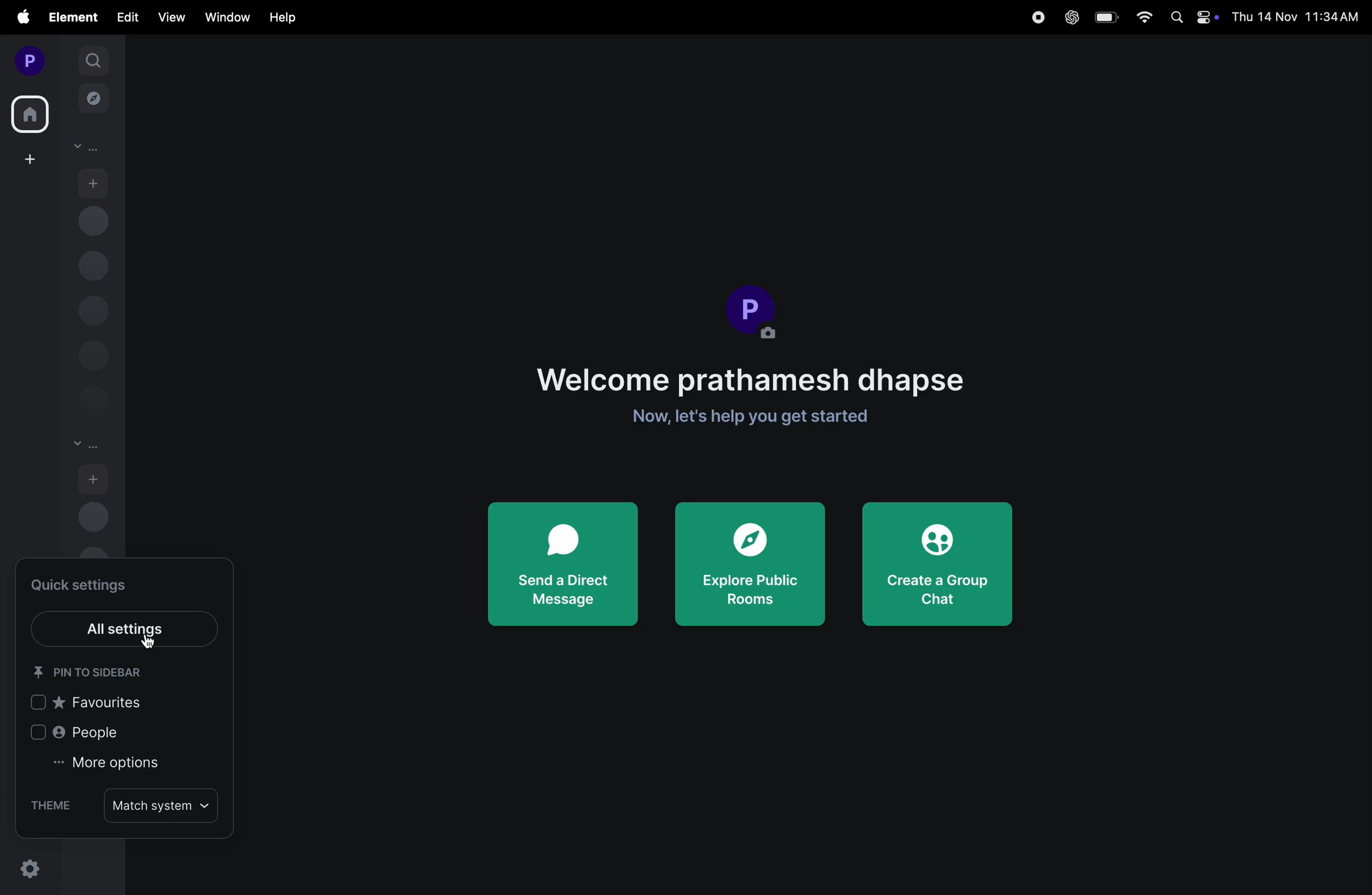 Image resolution: width=1372 pixels, height=895 pixels. What do you see at coordinates (223, 18) in the screenshot?
I see `window` at bounding box center [223, 18].